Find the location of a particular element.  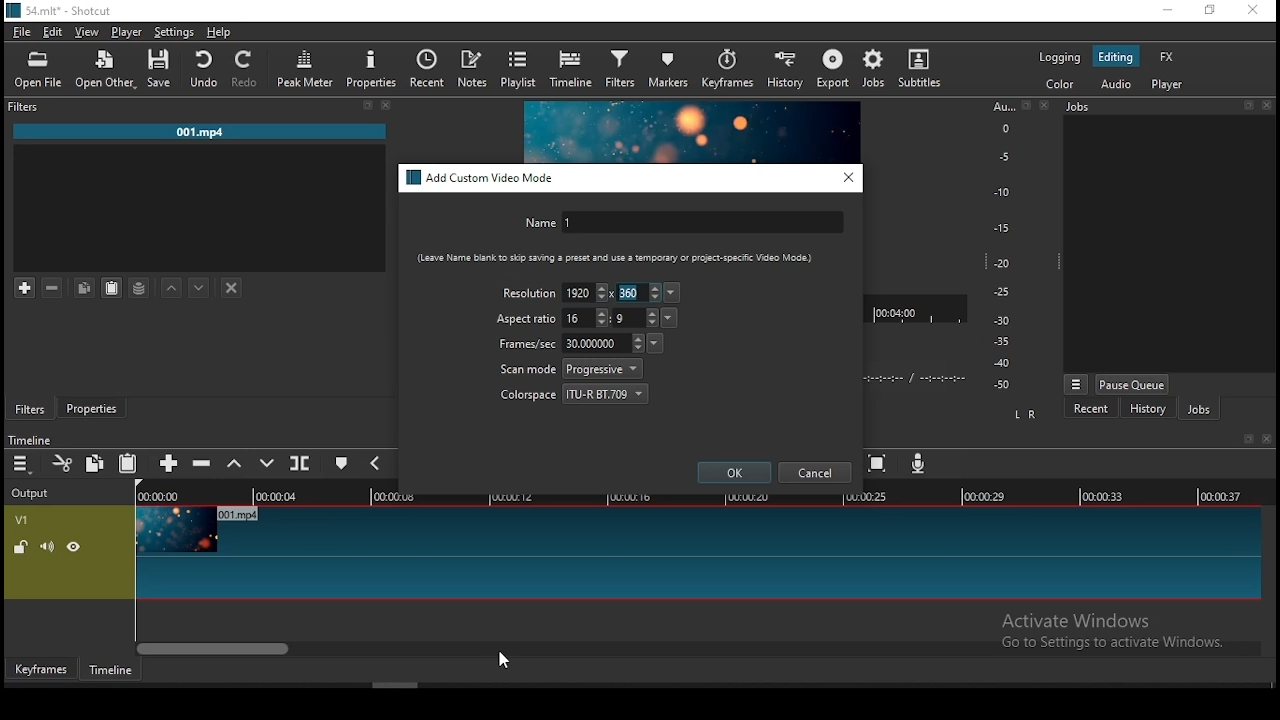

previous marker is located at coordinates (374, 462).